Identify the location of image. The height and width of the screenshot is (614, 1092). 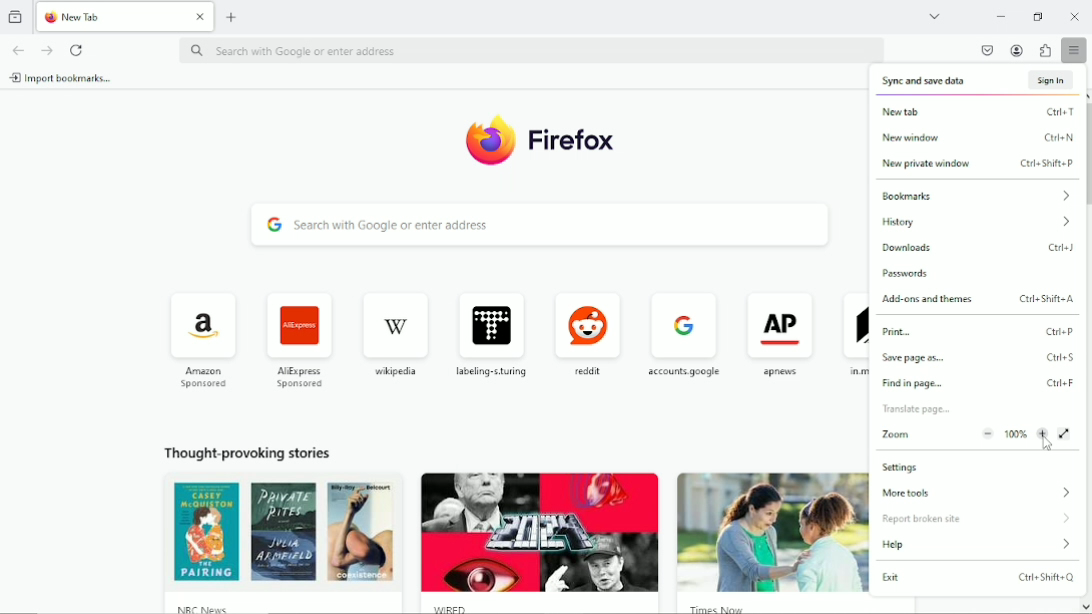
(767, 529).